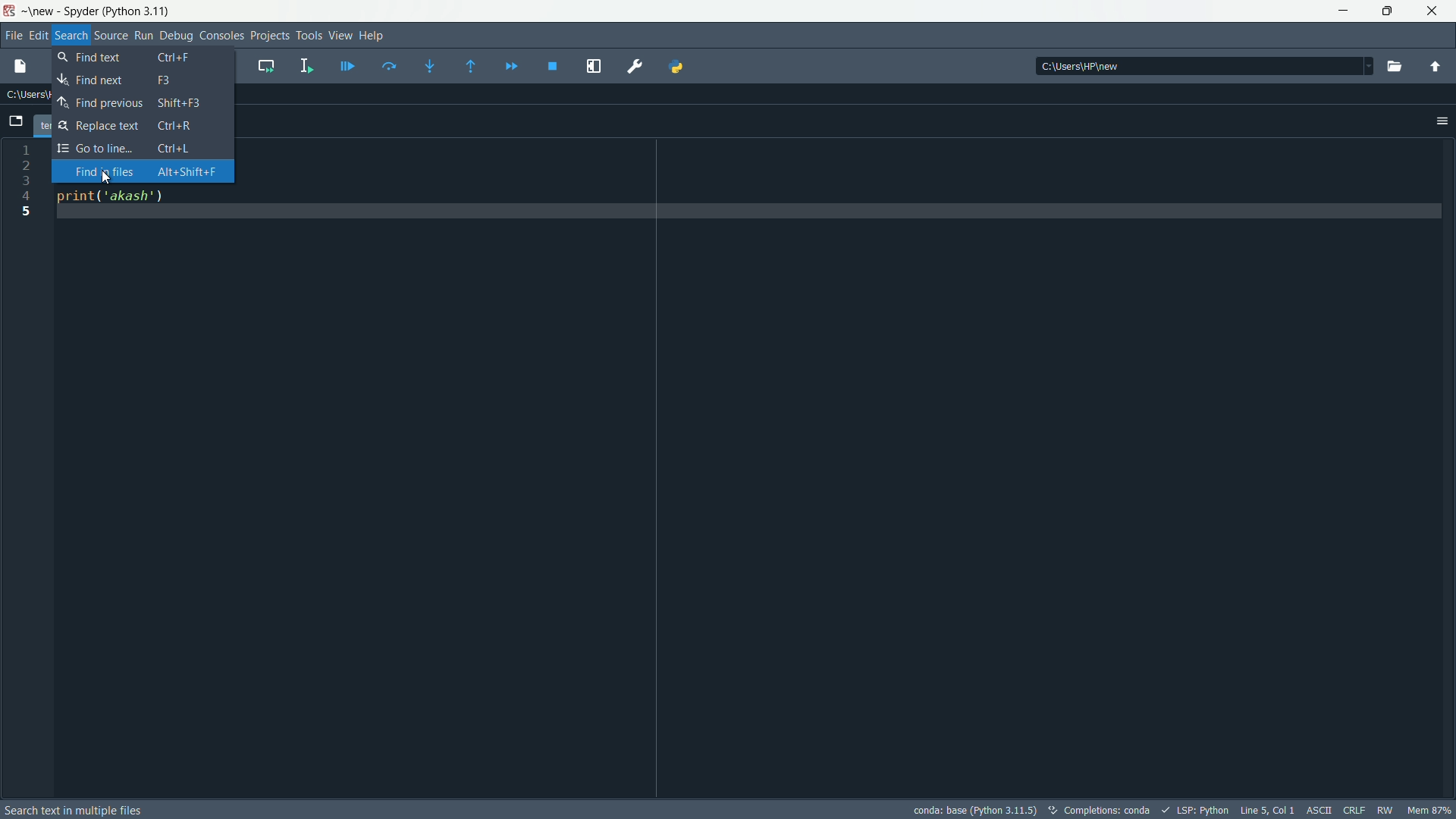  I want to click on step into function, so click(433, 66).